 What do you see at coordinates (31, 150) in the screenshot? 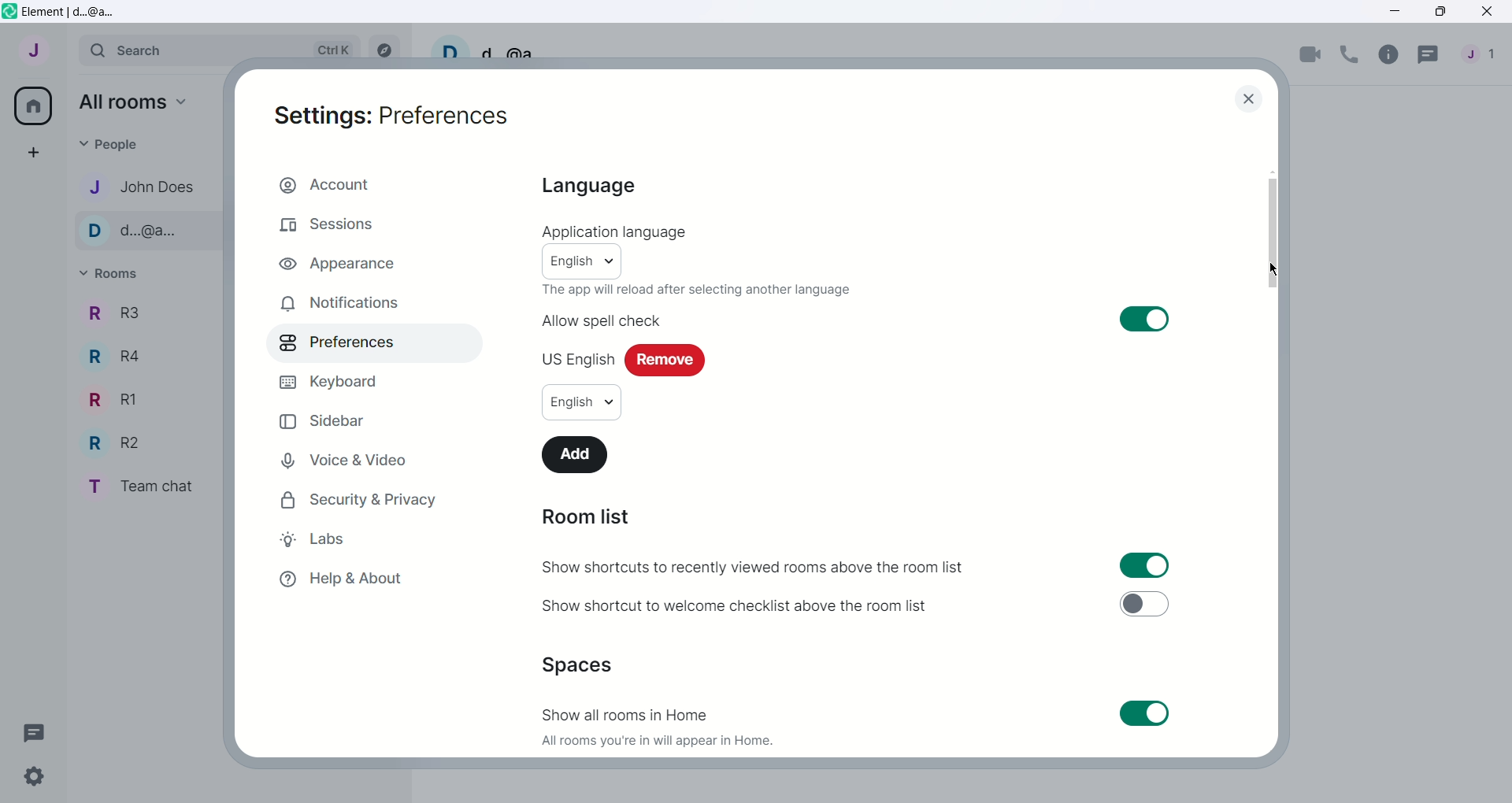
I see `Create a space` at bounding box center [31, 150].